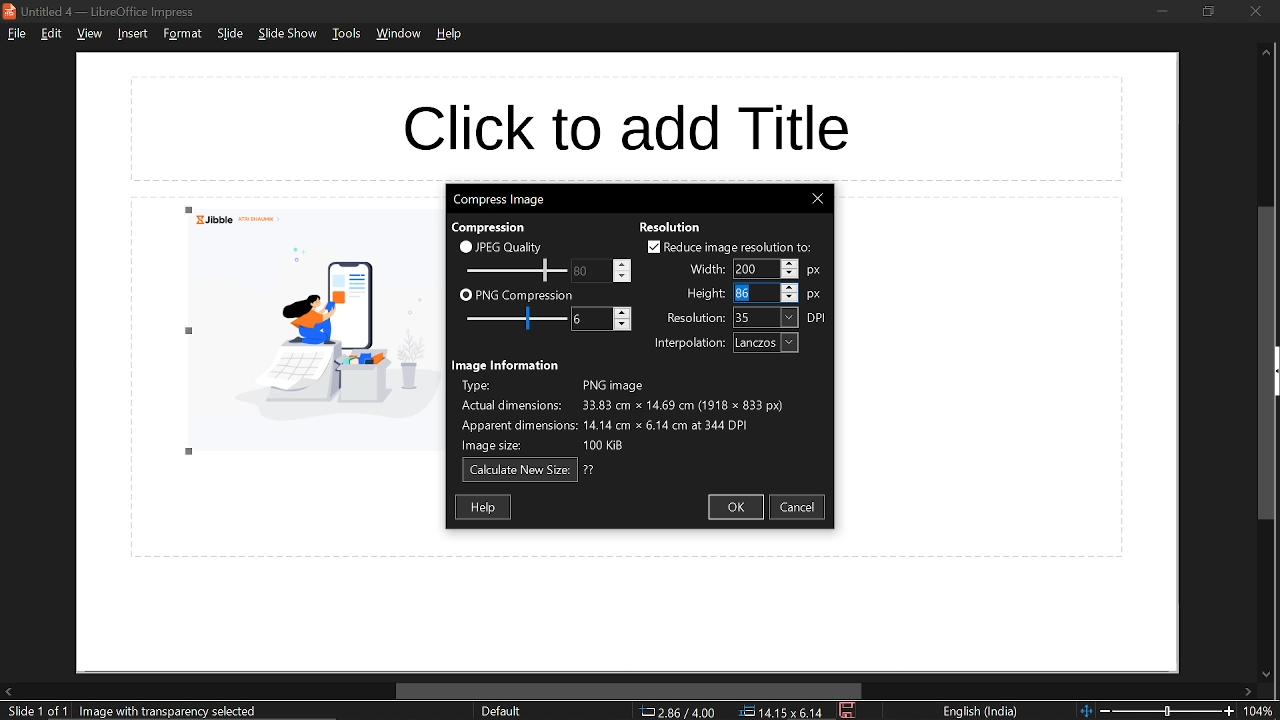 This screenshot has width=1280, height=720. I want to click on  width, so click(754, 269).